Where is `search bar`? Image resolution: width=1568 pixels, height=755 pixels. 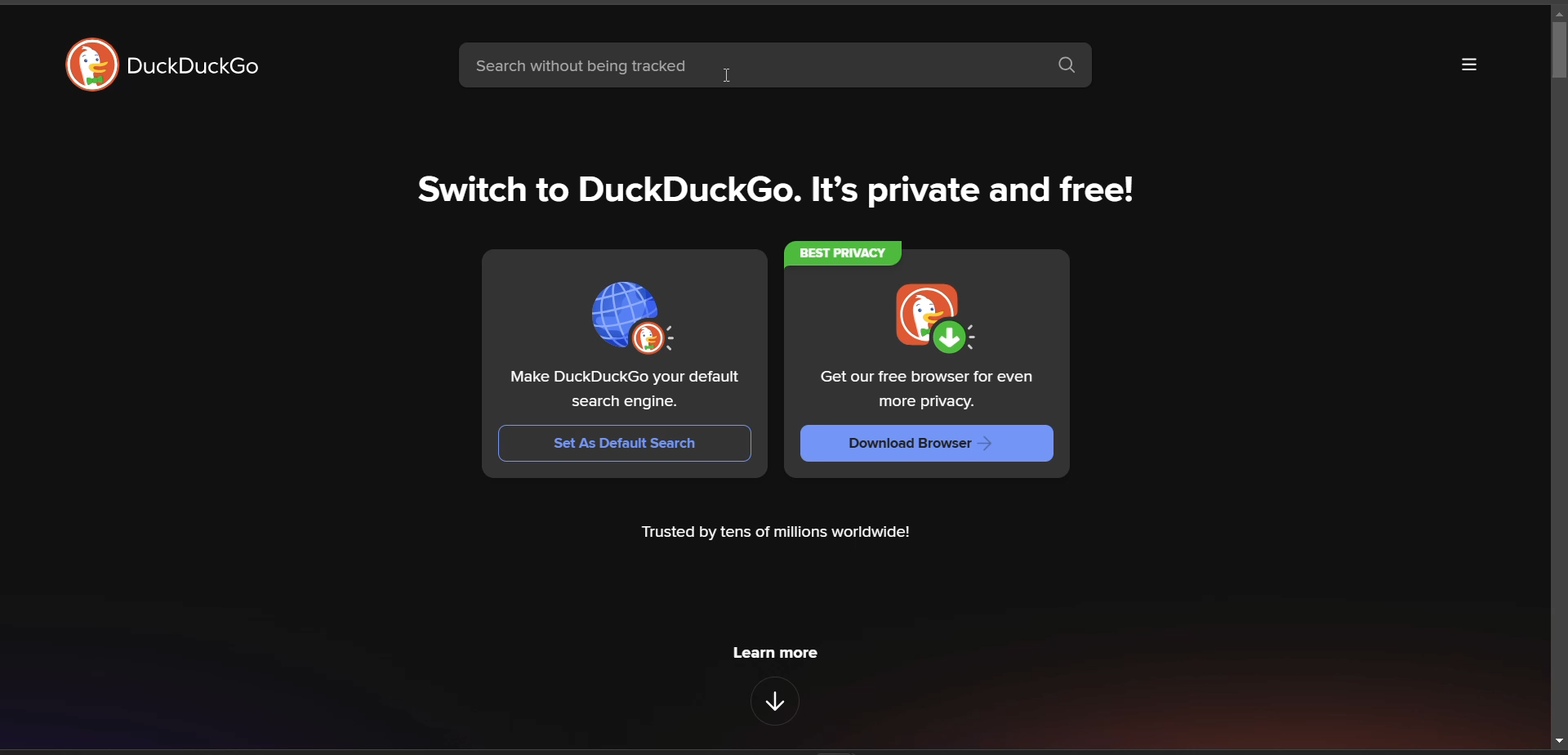
search bar is located at coordinates (752, 65).